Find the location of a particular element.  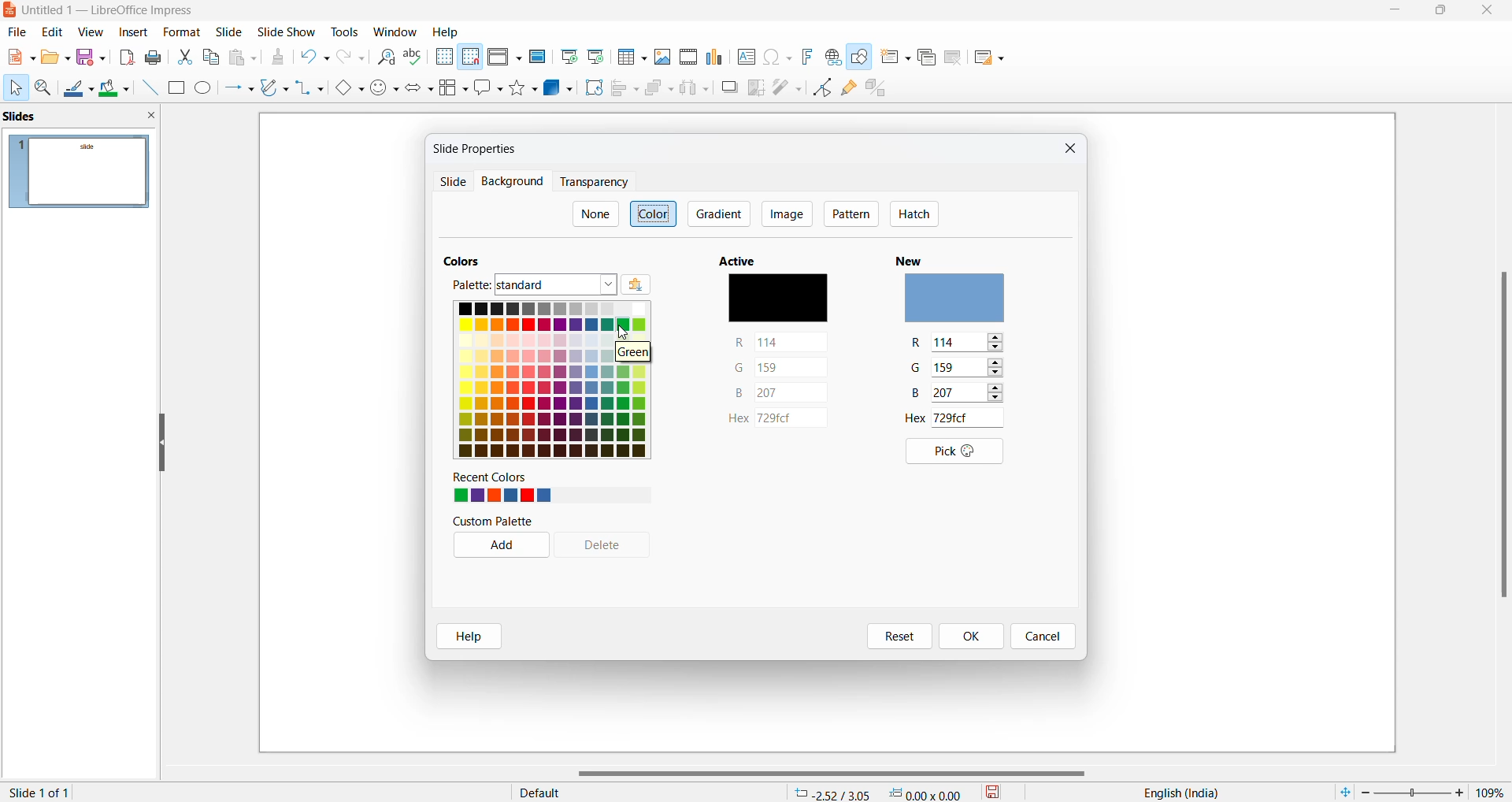

zoom slider is located at coordinates (1412, 791).